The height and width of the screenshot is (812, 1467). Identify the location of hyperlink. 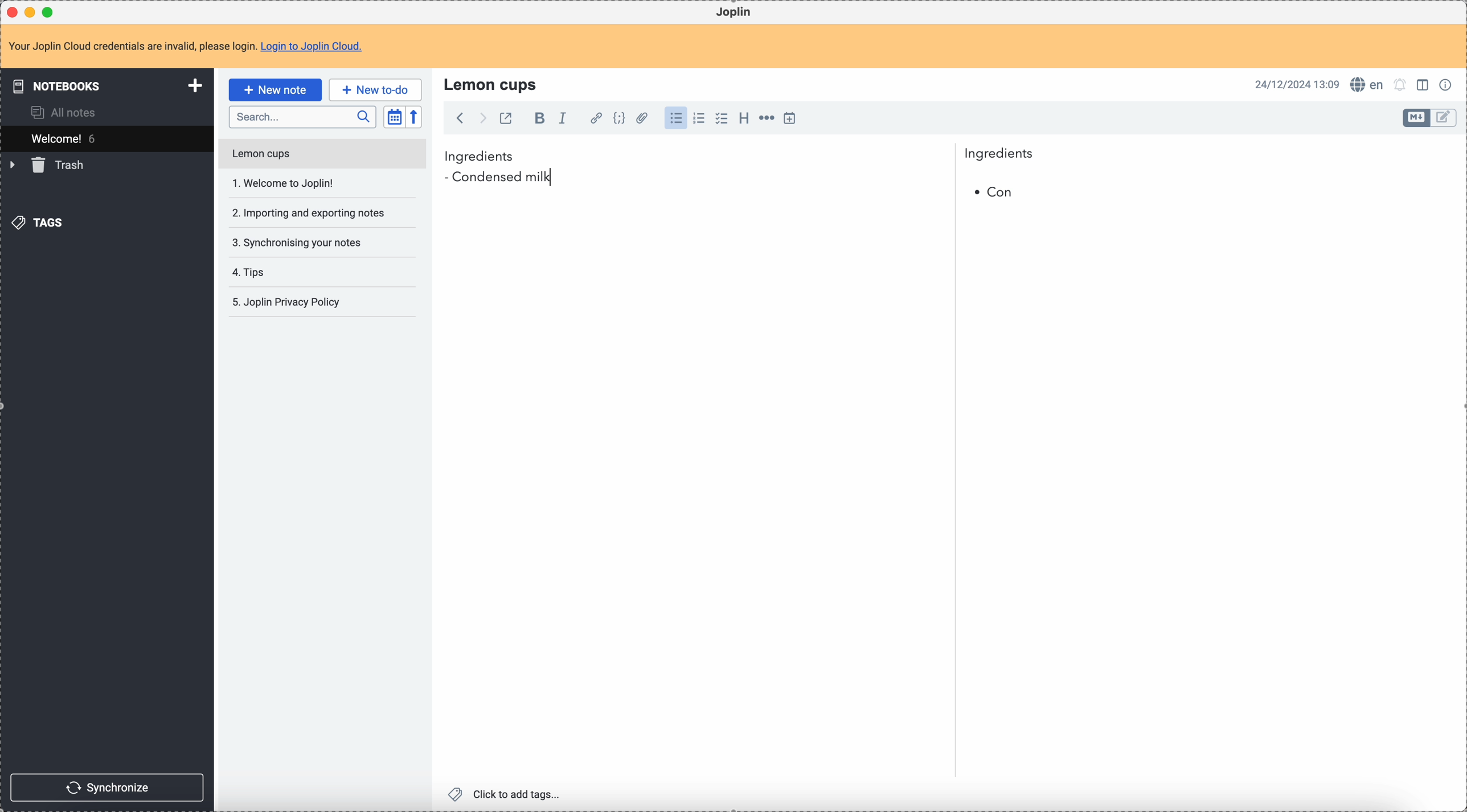
(594, 119).